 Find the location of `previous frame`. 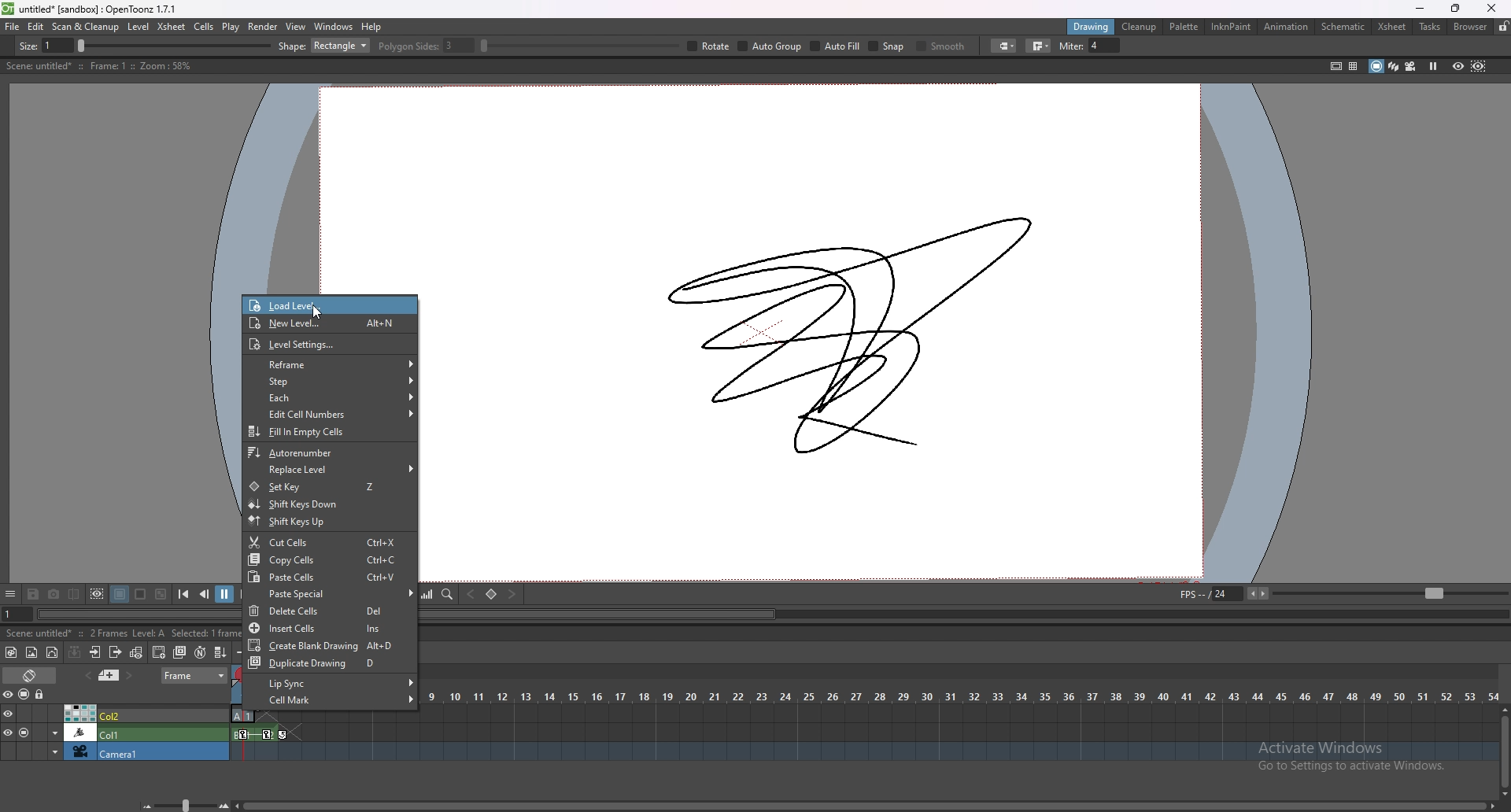

previous frame is located at coordinates (205, 593).